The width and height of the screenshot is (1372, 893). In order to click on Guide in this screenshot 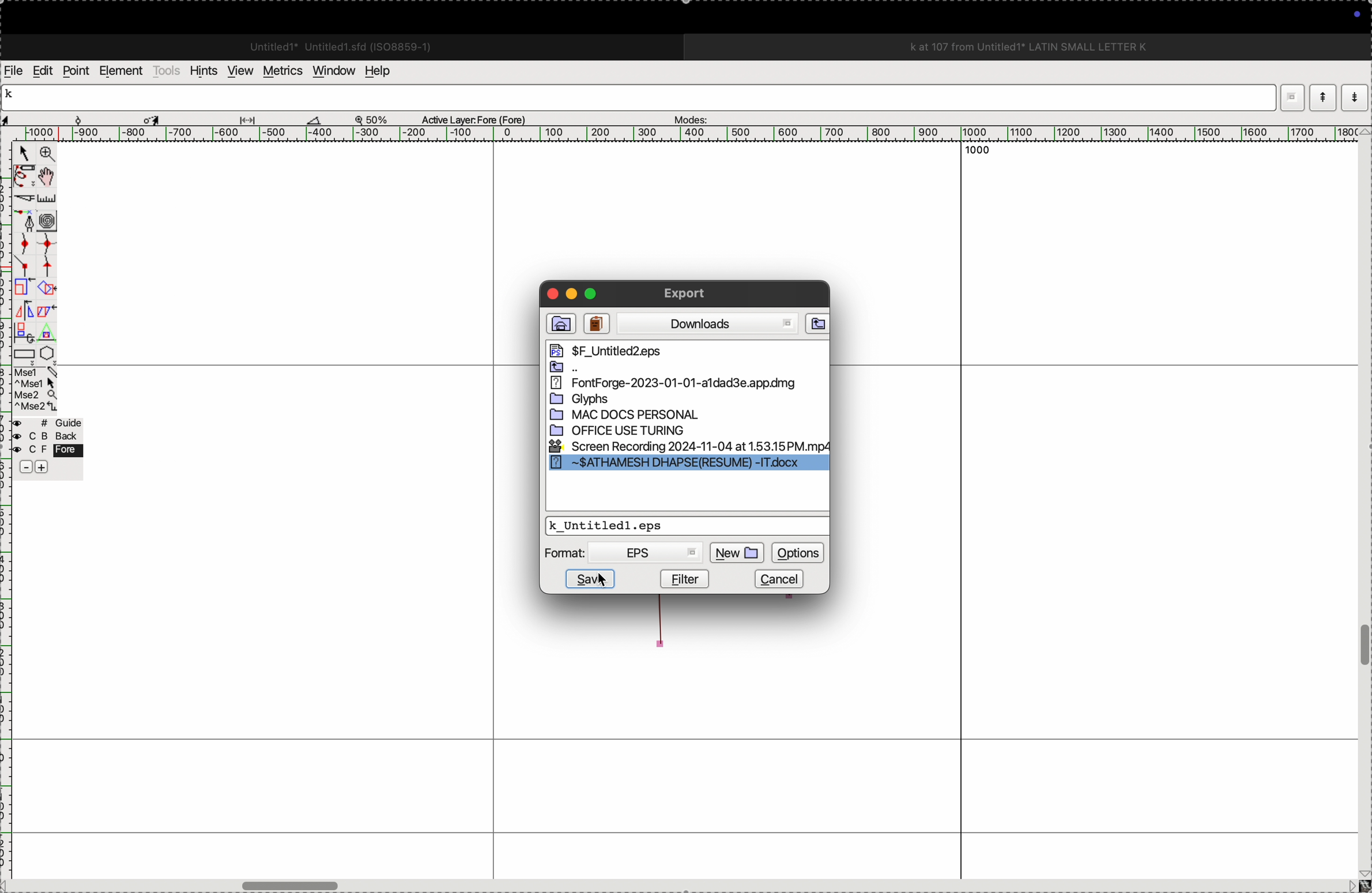, I will do `click(47, 446)`.